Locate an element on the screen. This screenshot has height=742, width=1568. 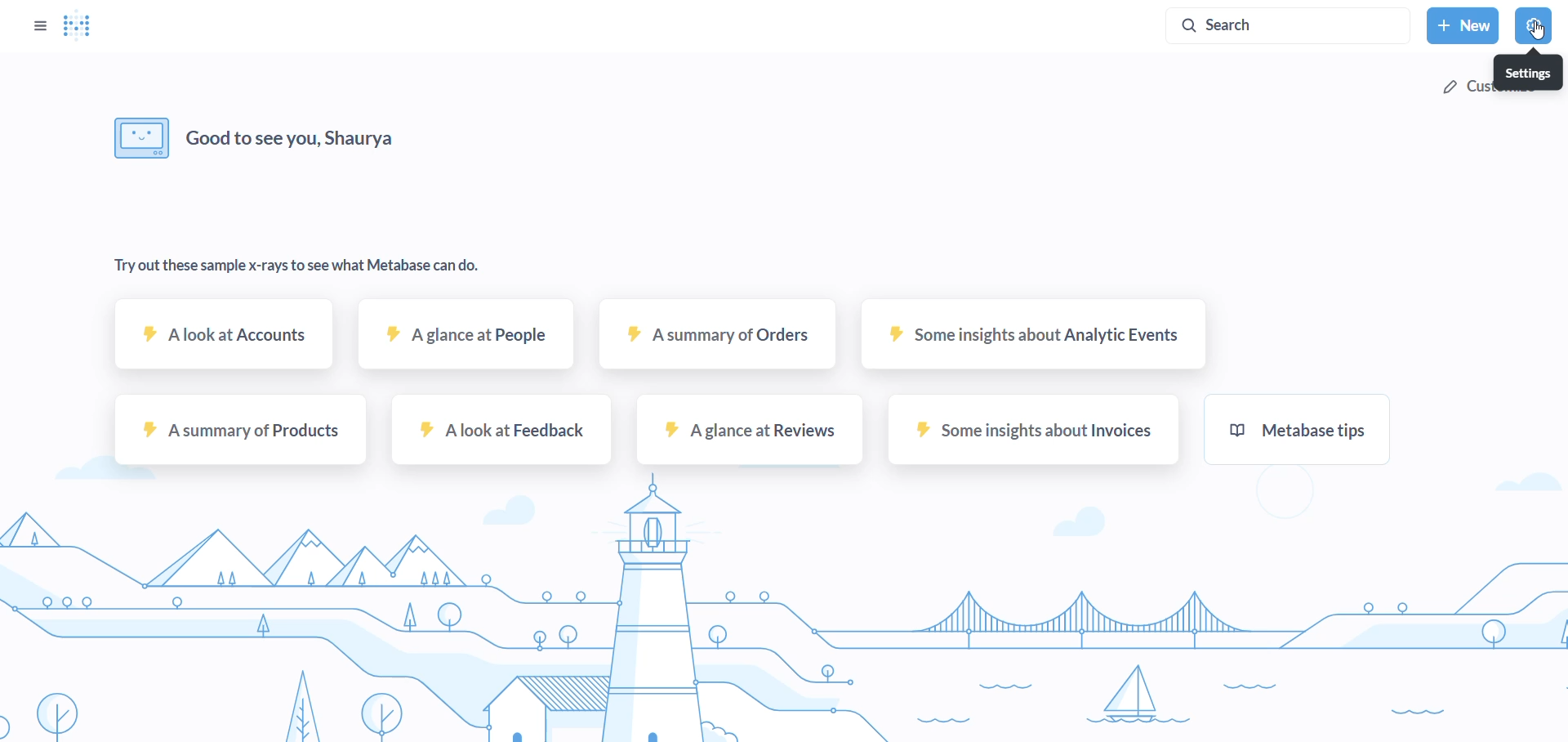
Metabase logo is located at coordinates (80, 26).